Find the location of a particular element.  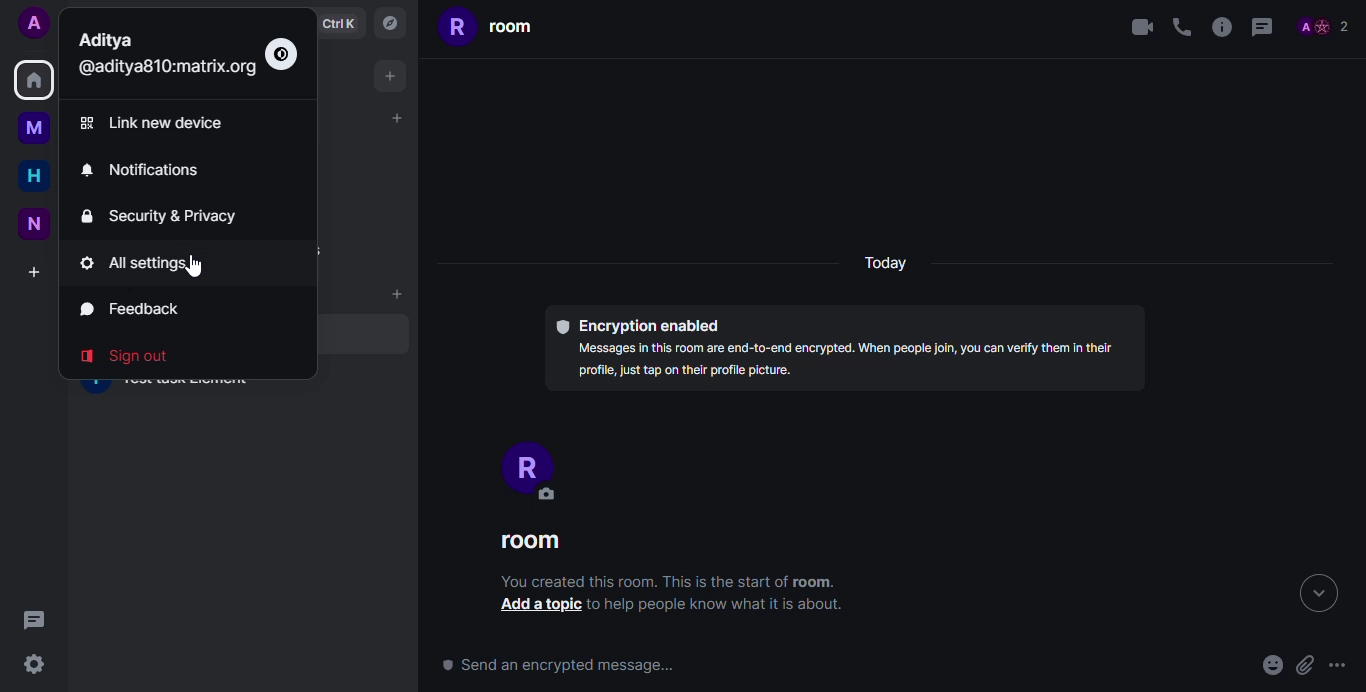

room is located at coordinates (494, 28).